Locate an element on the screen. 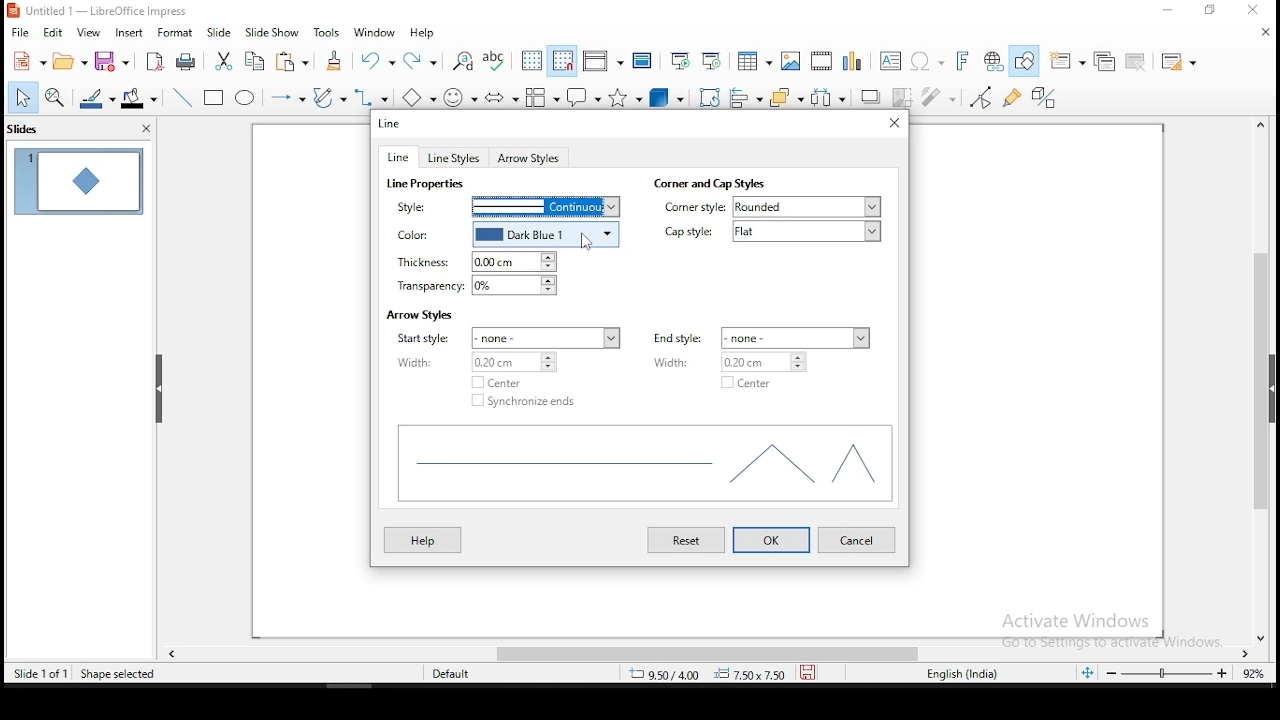  line is located at coordinates (400, 157).